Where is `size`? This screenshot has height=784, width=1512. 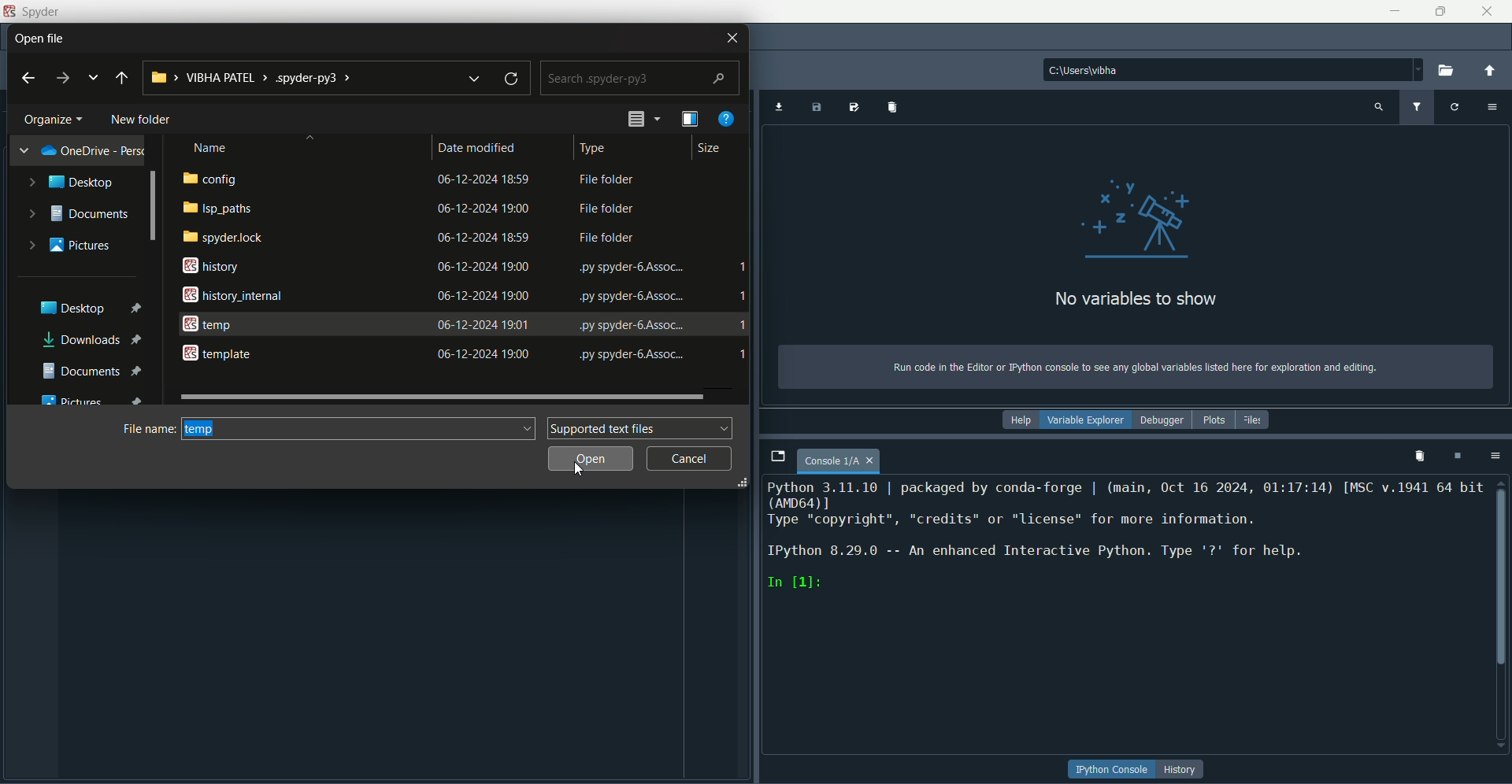 size is located at coordinates (705, 150).